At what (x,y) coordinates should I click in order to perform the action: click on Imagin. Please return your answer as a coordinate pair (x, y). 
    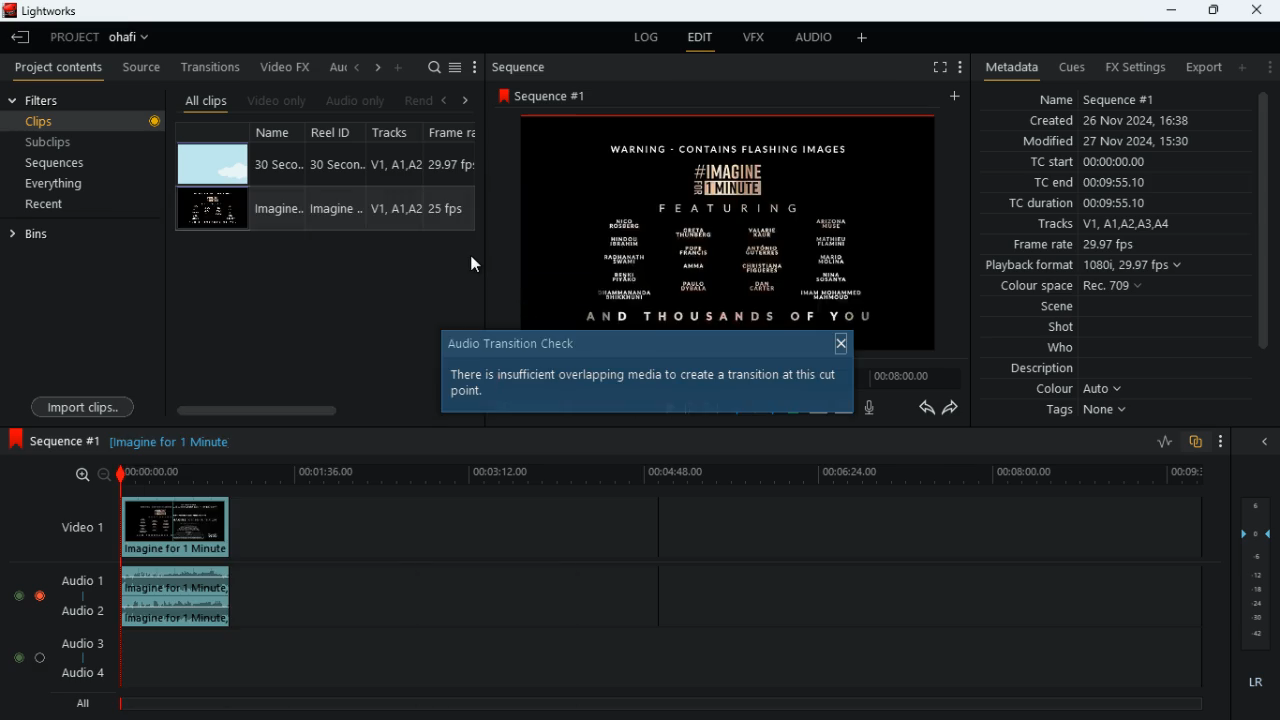
    Looking at the image, I should click on (334, 209).